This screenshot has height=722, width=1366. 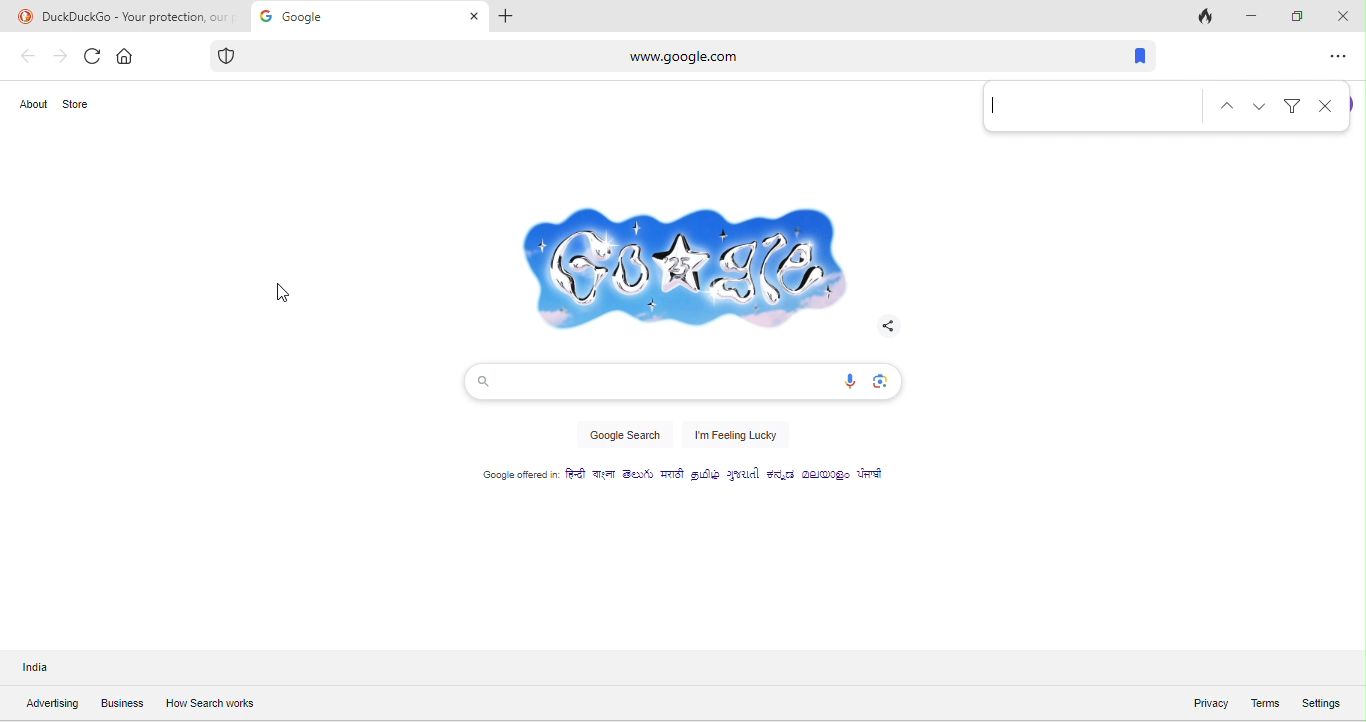 I want to click on about, so click(x=36, y=106).